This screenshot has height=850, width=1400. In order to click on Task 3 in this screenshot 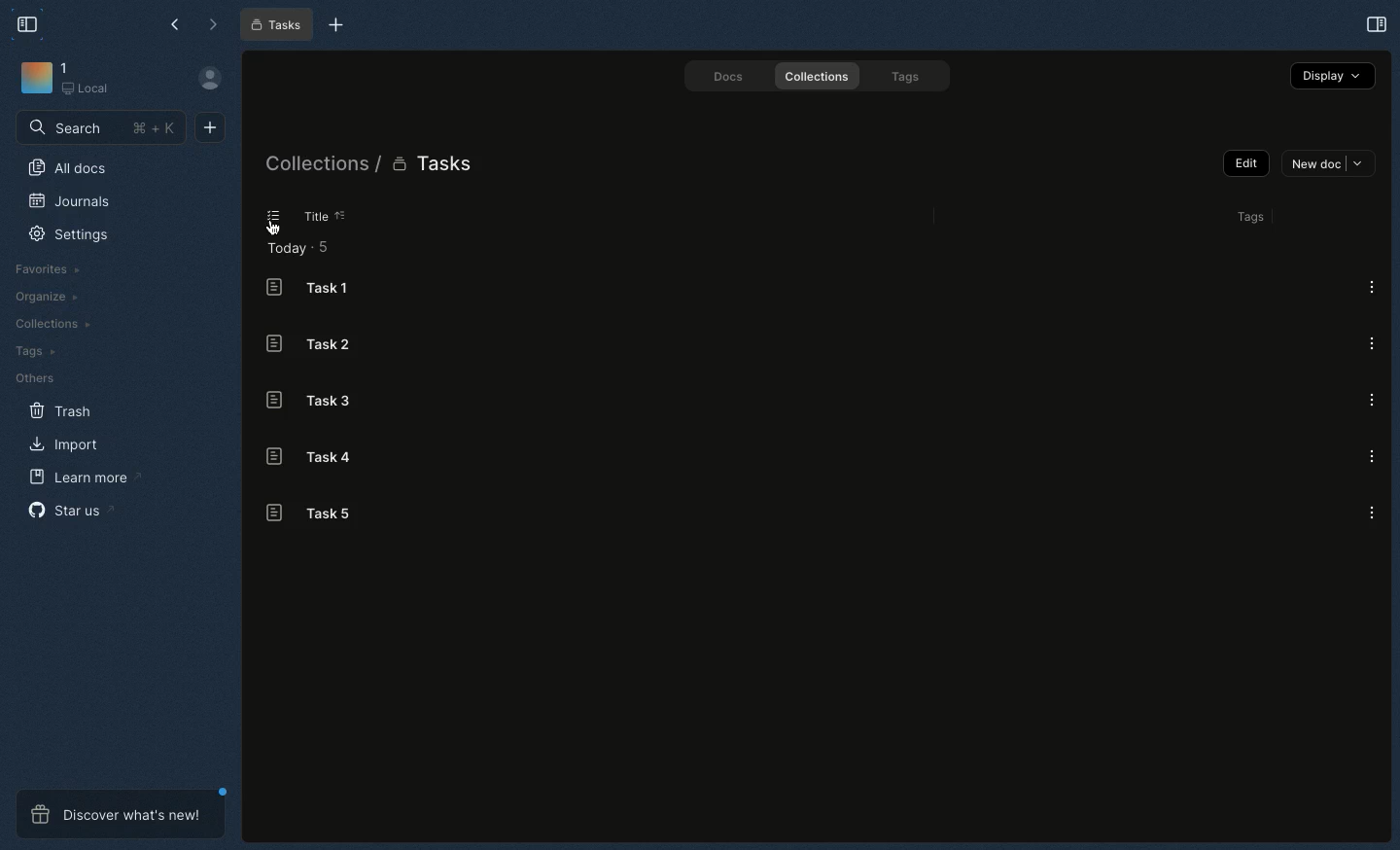, I will do `click(314, 400)`.